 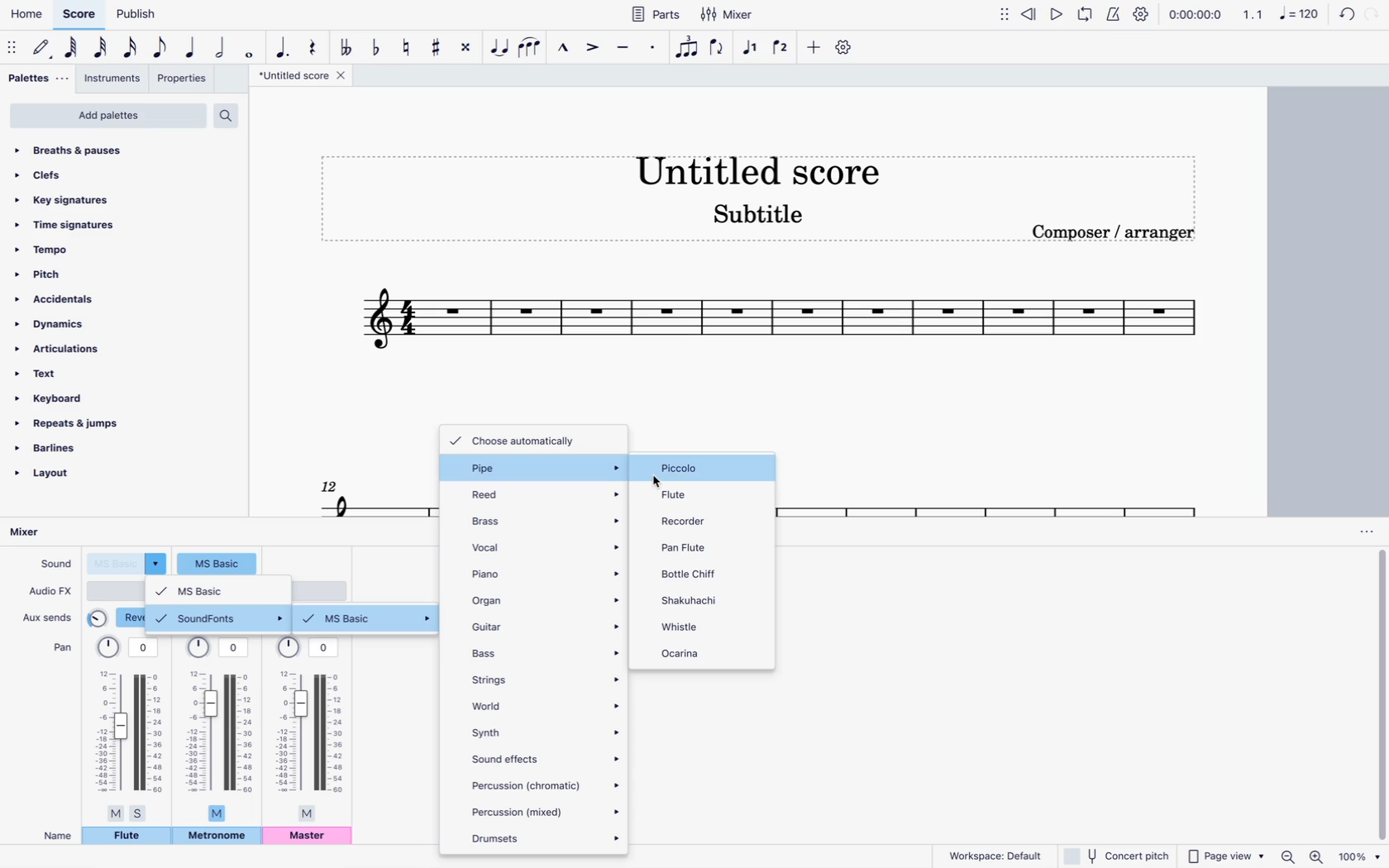 I want to click on flip direction, so click(x=719, y=48).